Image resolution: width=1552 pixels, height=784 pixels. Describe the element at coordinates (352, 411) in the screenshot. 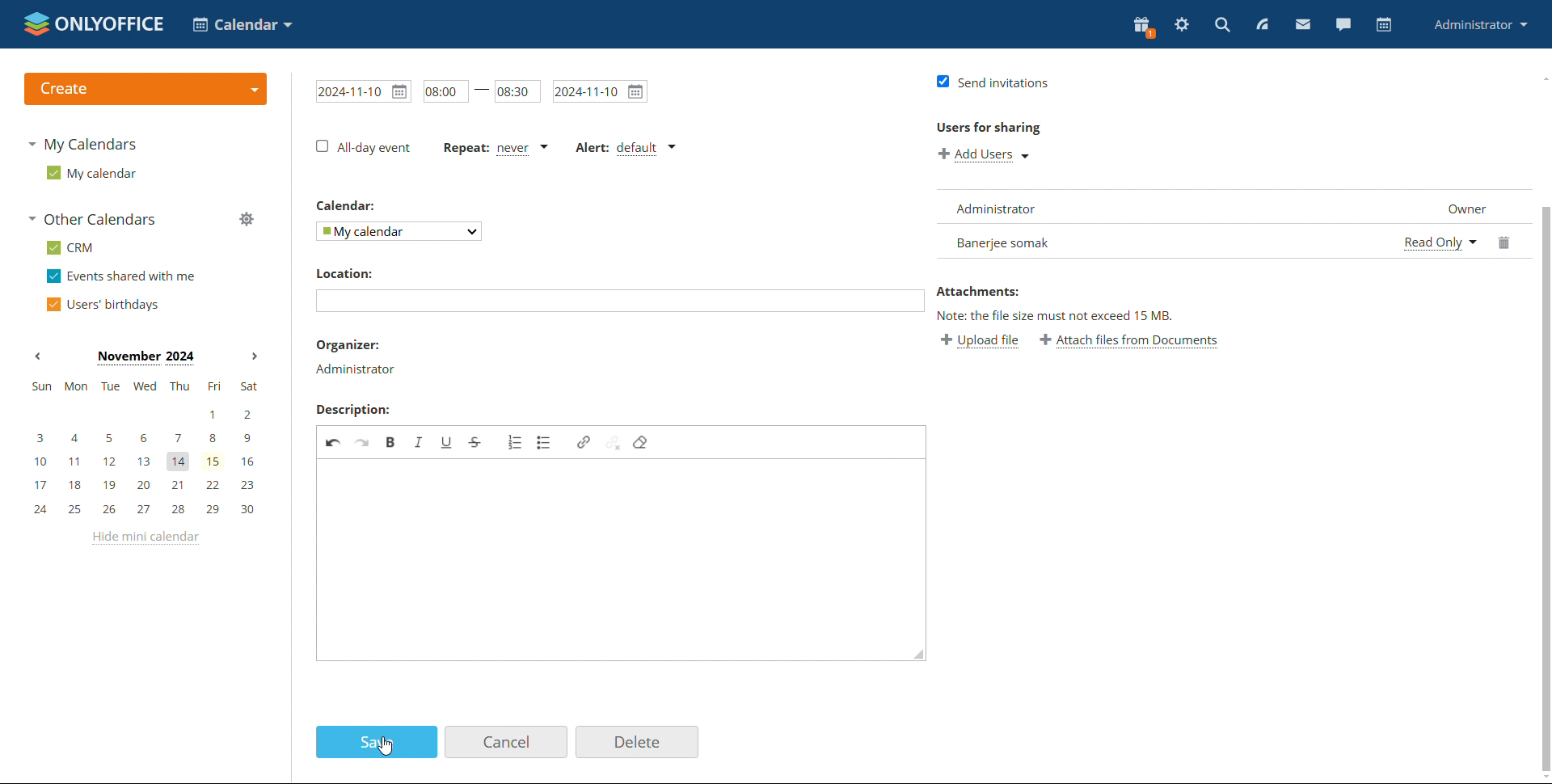

I see `description` at that location.